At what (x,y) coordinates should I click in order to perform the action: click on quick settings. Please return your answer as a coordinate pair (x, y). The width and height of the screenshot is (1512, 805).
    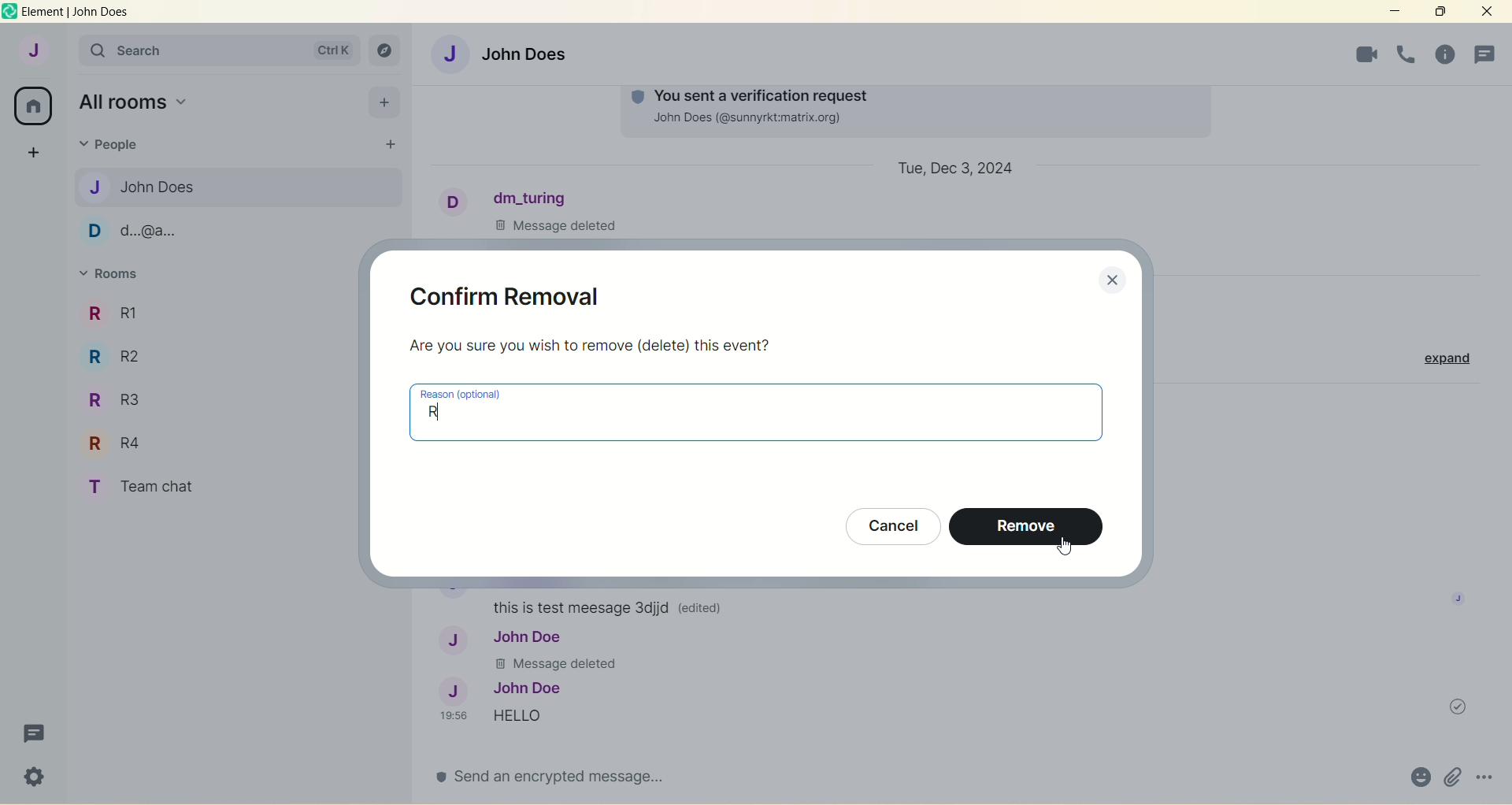
    Looking at the image, I should click on (32, 778).